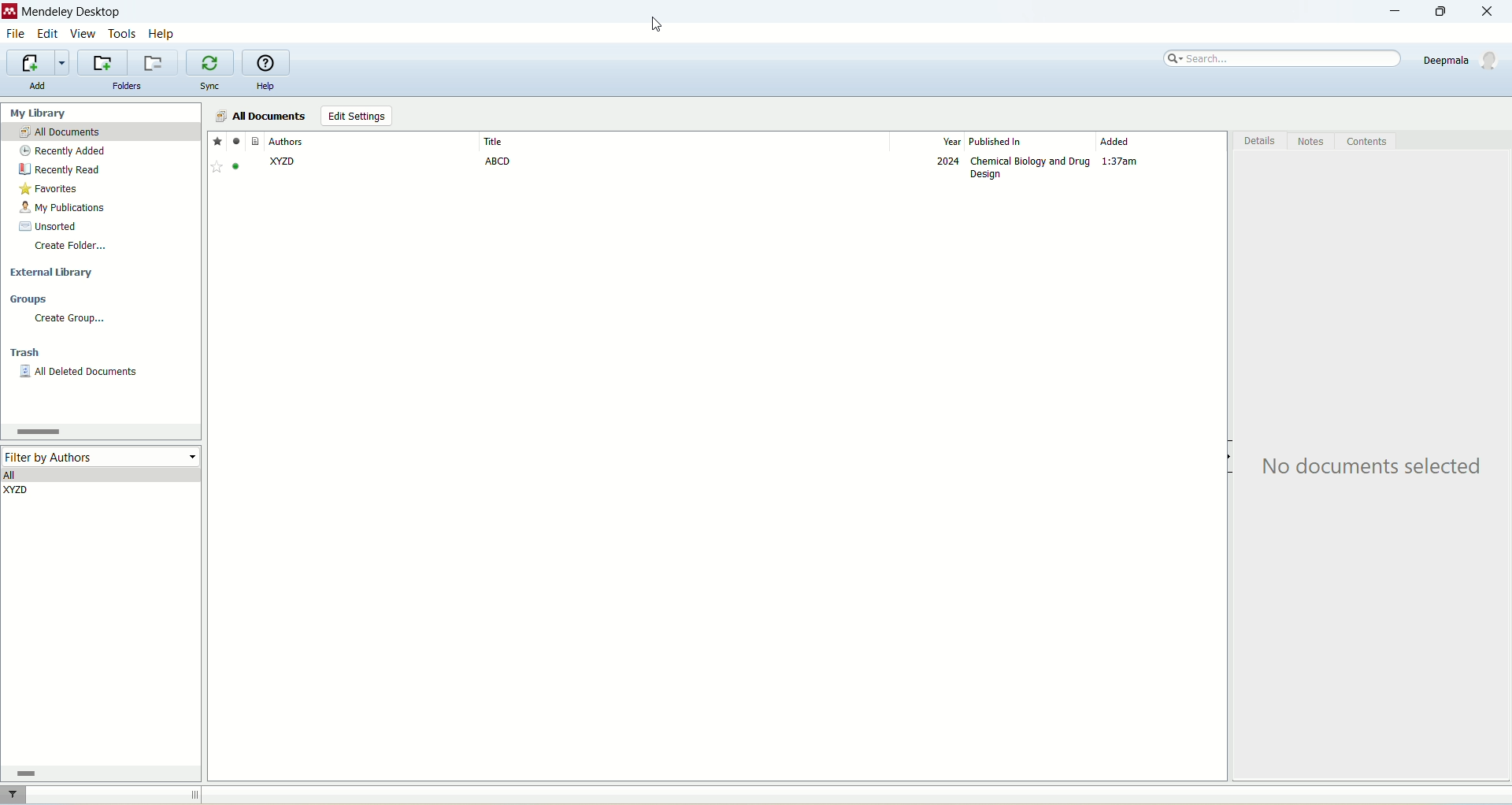 The height and width of the screenshot is (805, 1512). I want to click on remove current folder, so click(155, 62).